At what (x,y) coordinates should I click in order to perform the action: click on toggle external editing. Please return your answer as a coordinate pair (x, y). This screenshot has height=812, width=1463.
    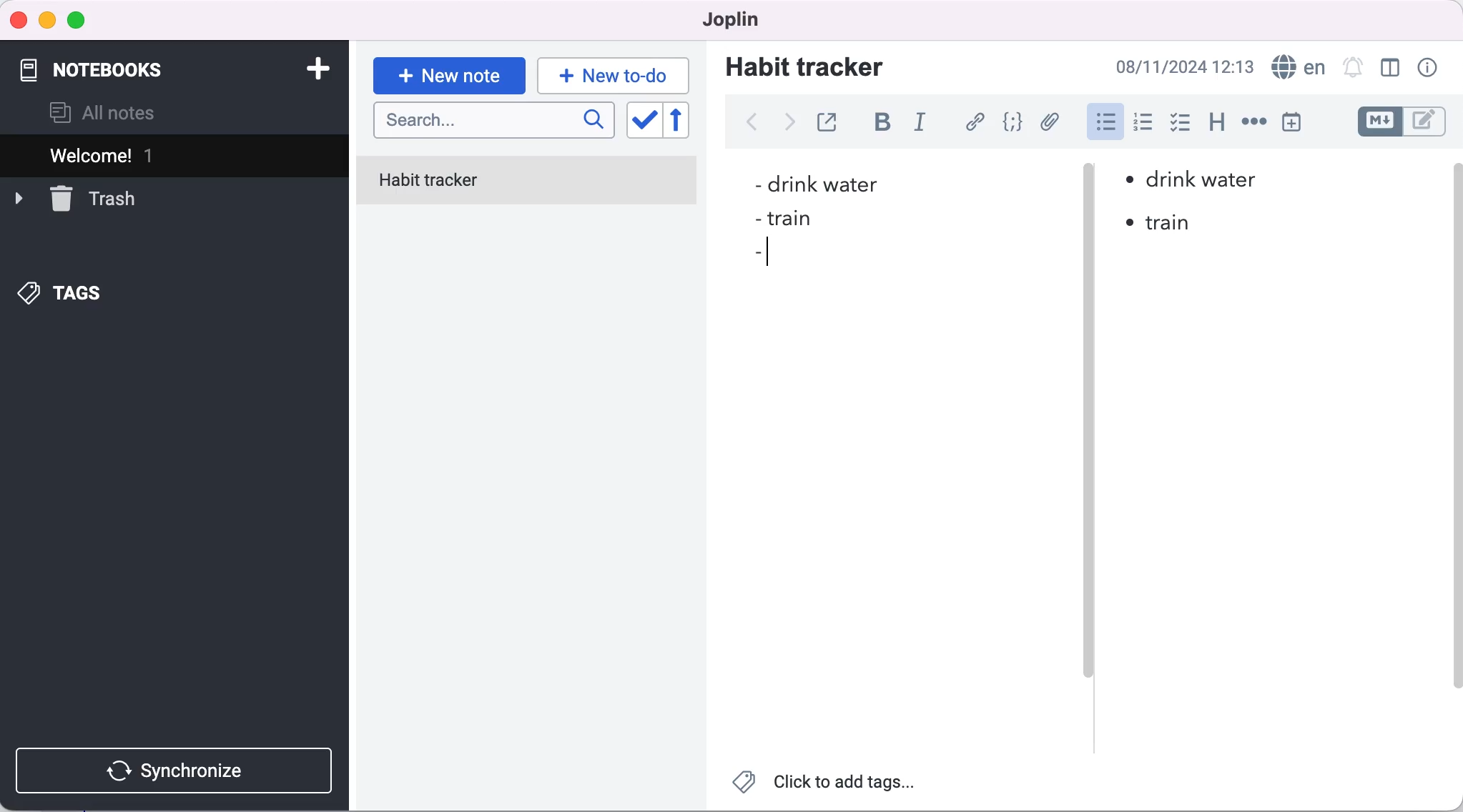
    Looking at the image, I should click on (831, 120).